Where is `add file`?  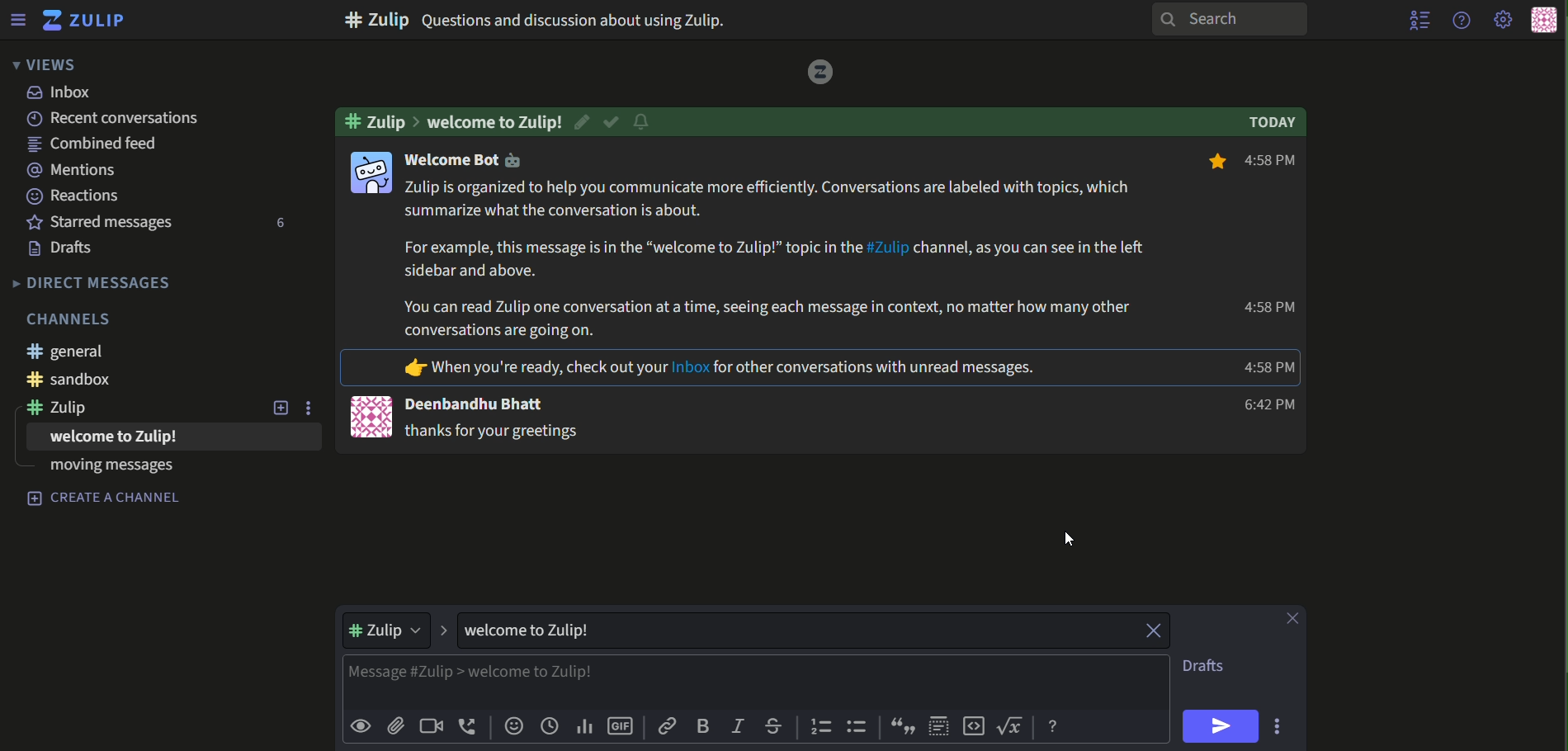
add file is located at coordinates (396, 727).